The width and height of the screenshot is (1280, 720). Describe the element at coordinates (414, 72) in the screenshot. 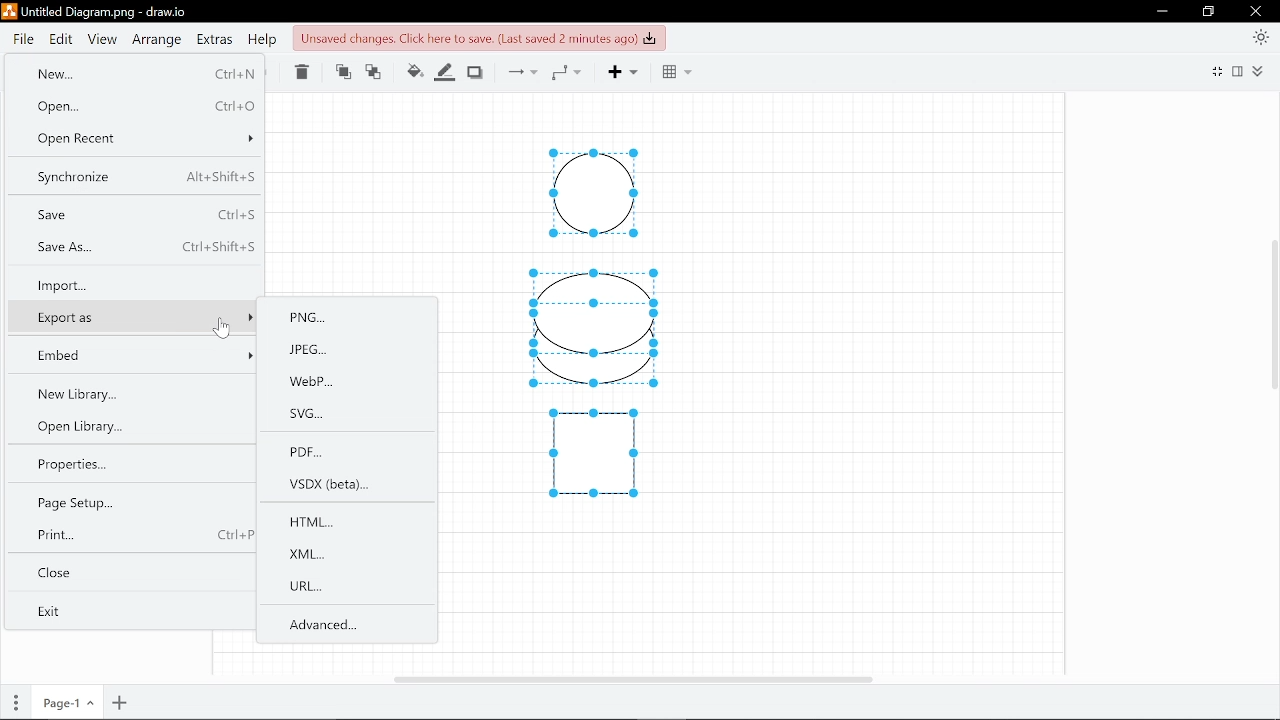

I see `Fill colour` at that location.